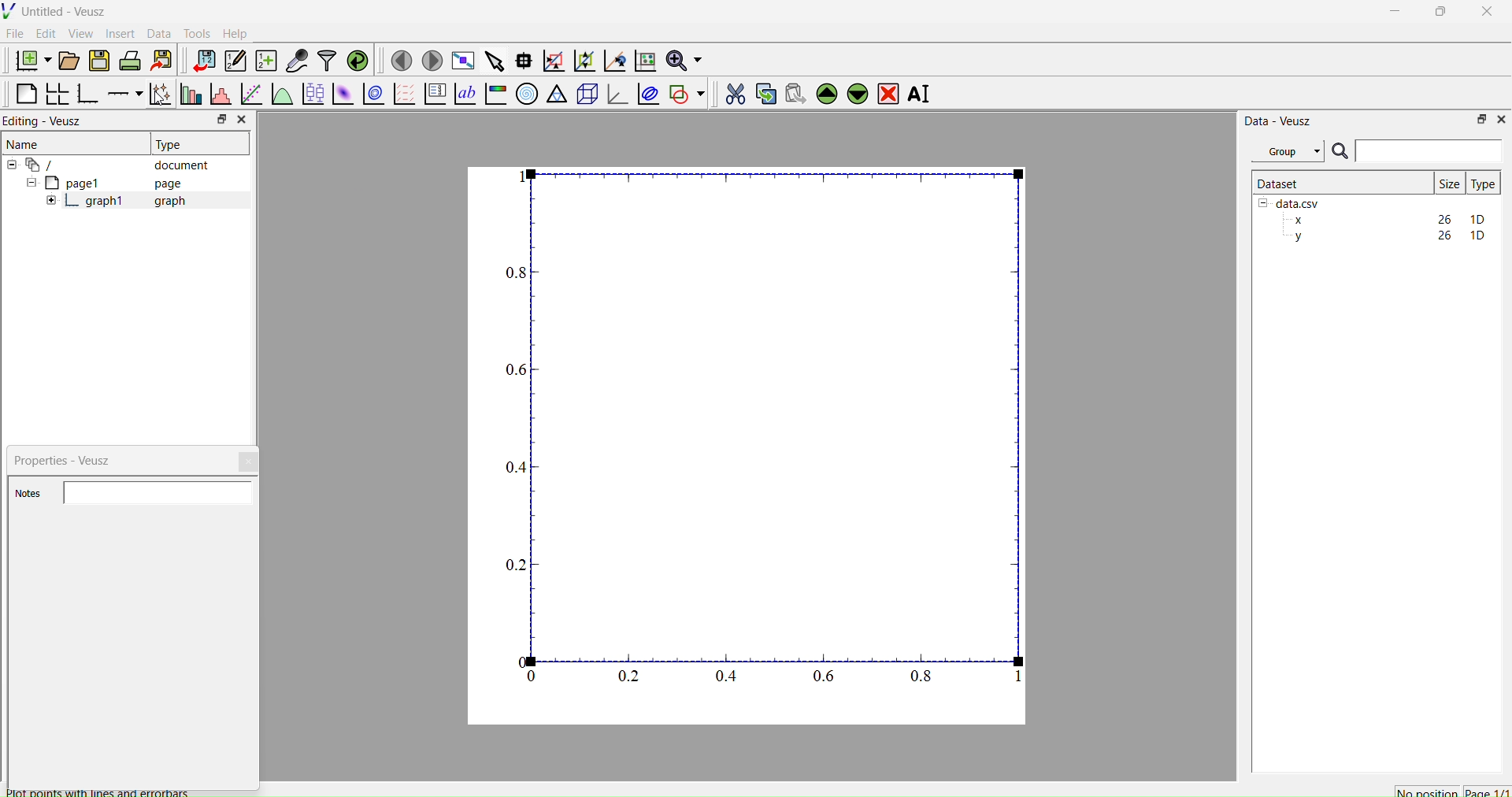  What do you see at coordinates (342, 94) in the screenshot?
I see `Plot a 2d dataset as image` at bounding box center [342, 94].